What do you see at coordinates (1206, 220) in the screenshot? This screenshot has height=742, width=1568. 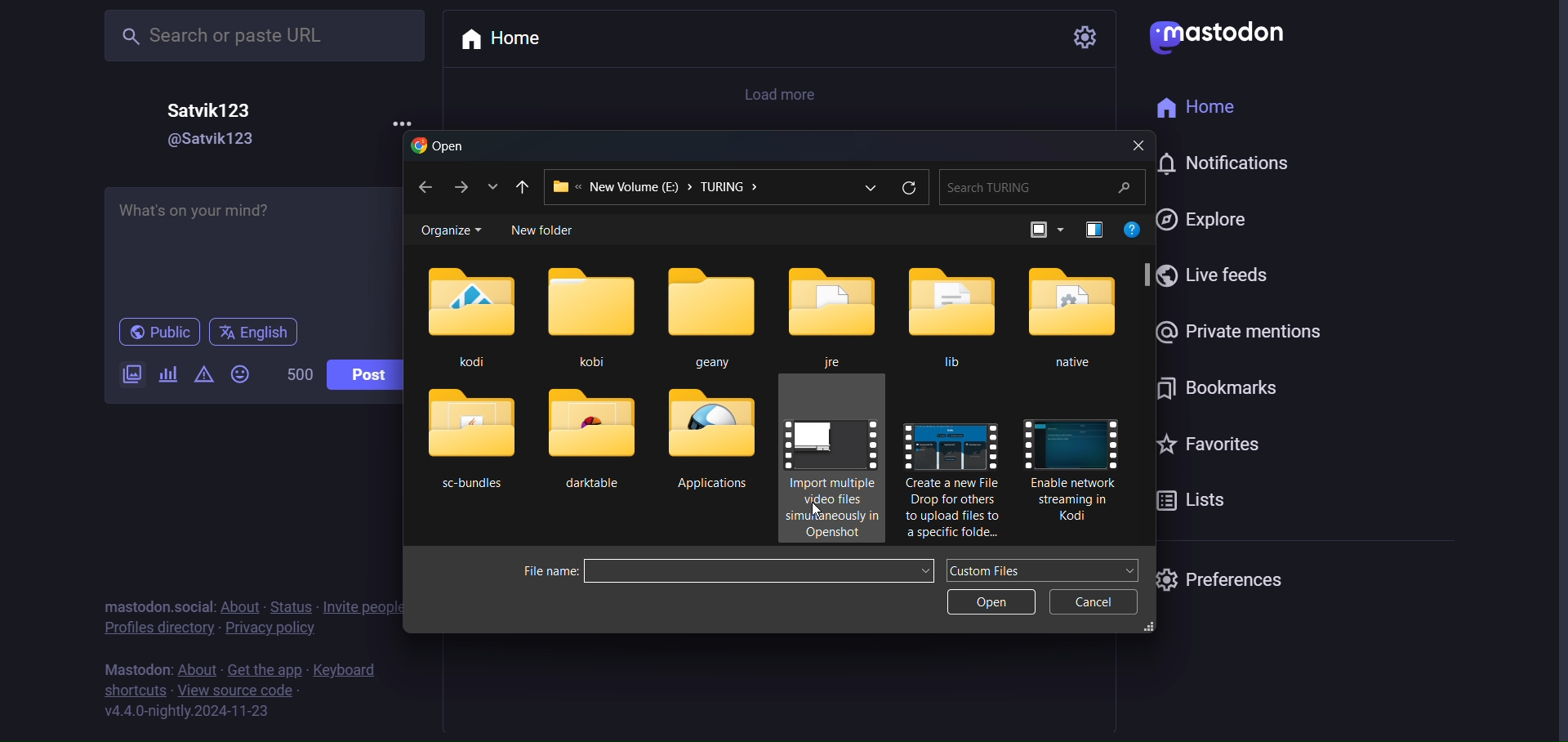 I see `explore` at bounding box center [1206, 220].